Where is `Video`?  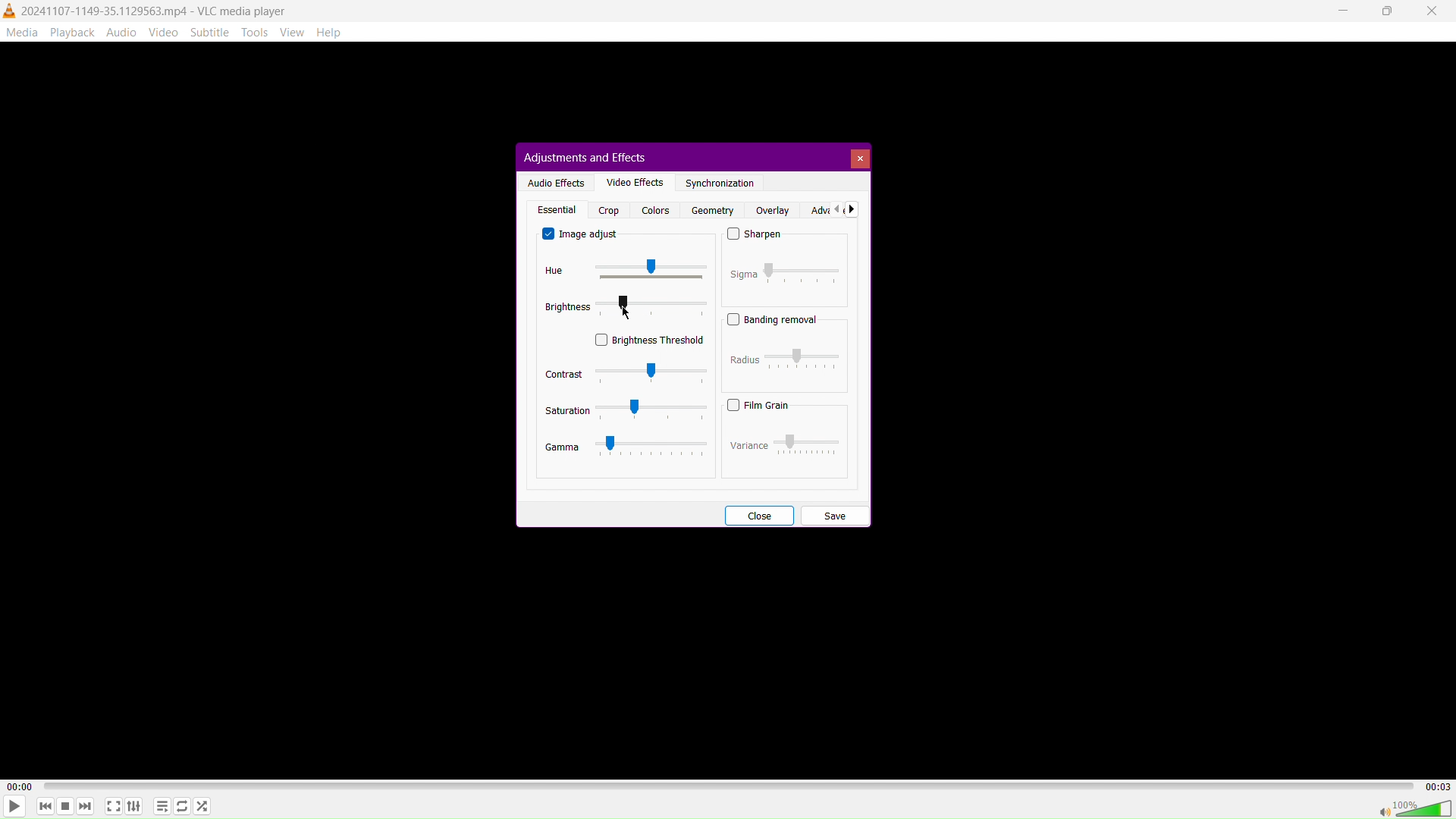
Video is located at coordinates (166, 32).